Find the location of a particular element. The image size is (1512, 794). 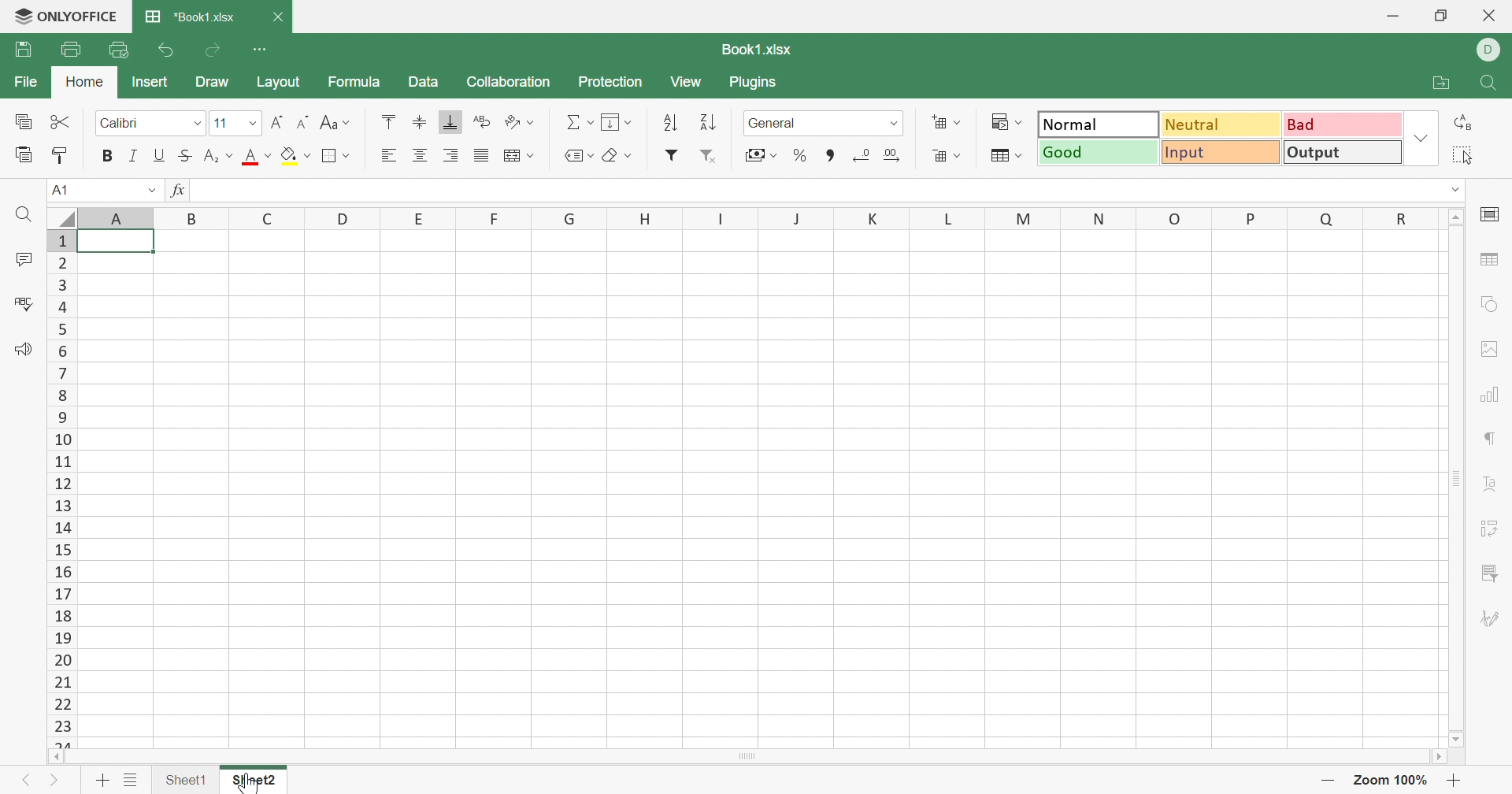

fx is located at coordinates (180, 191).